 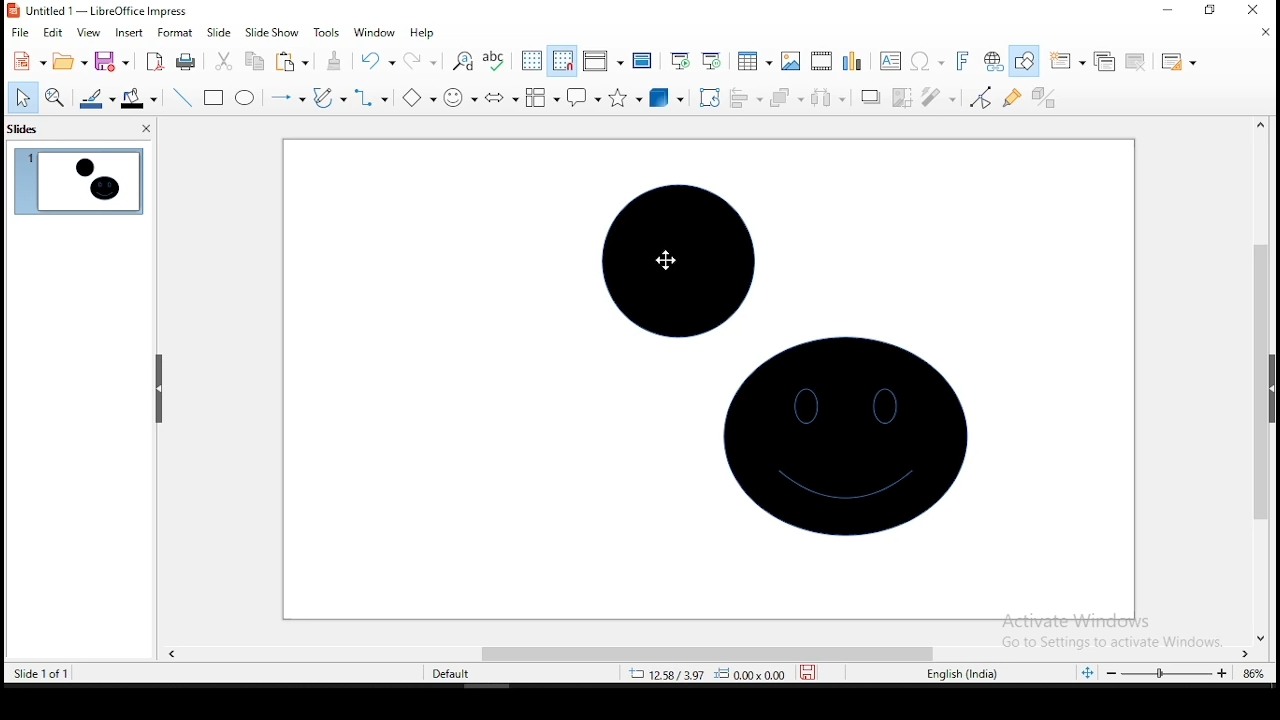 What do you see at coordinates (1044, 100) in the screenshot?
I see `toggle extrusion` at bounding box center [1044, 100].